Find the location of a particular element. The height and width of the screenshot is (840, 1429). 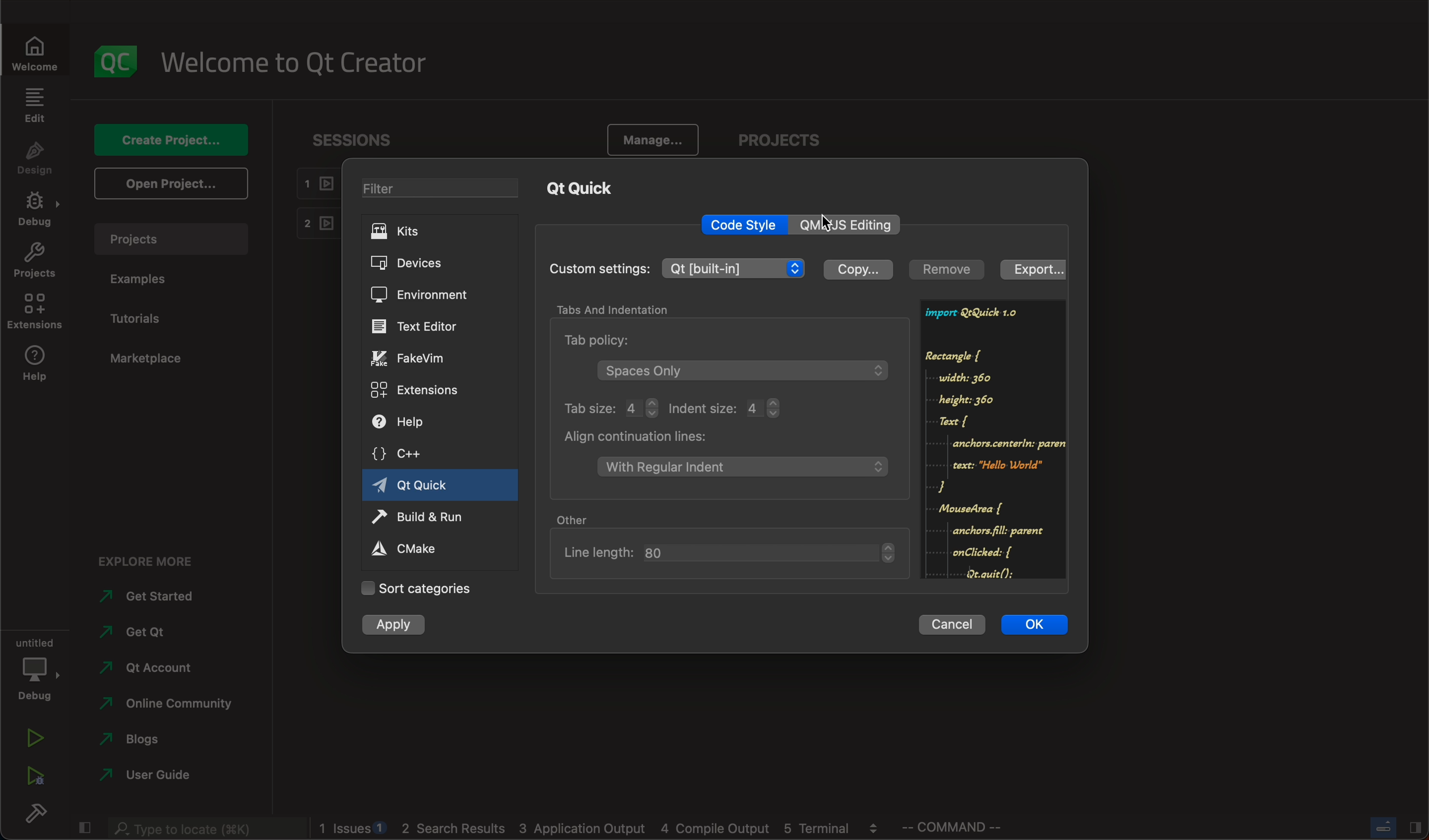

WELCOME is located at coordinates (36, 56).